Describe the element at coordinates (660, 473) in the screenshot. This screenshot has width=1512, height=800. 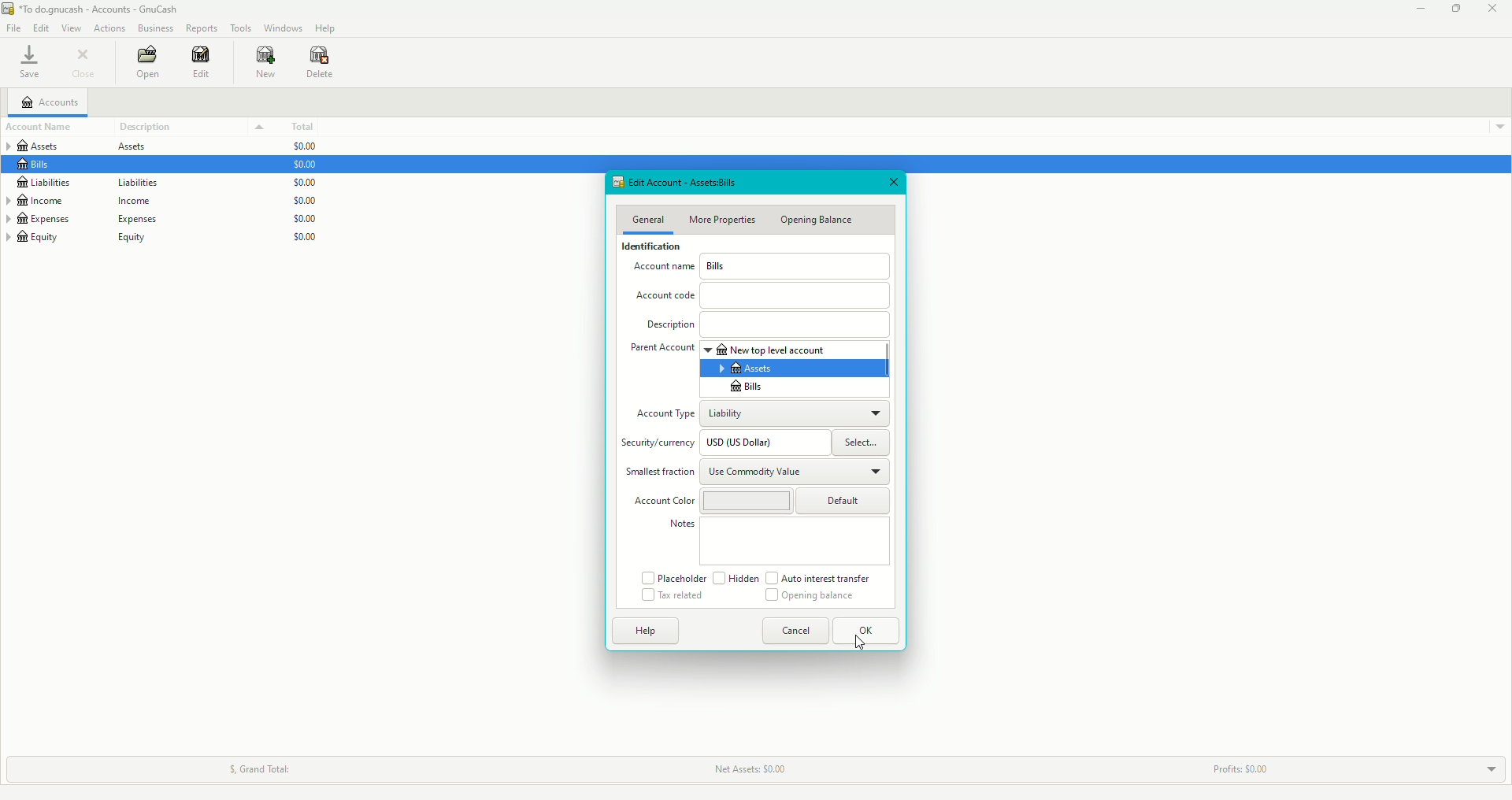
I see `Smallest fraction` at that location.